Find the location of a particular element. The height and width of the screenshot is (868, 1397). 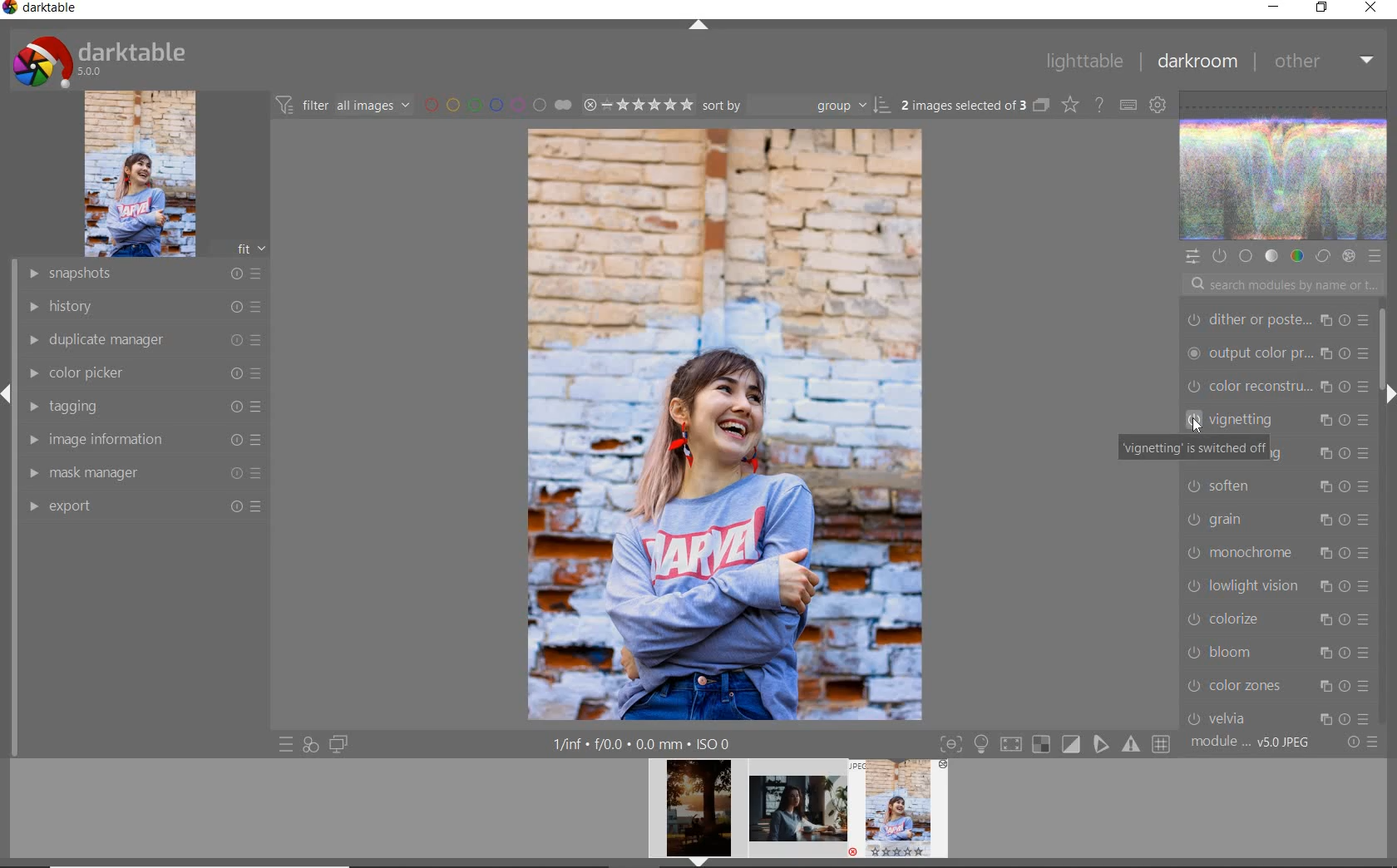

scrollbar is located at coordinates (1388, 353).